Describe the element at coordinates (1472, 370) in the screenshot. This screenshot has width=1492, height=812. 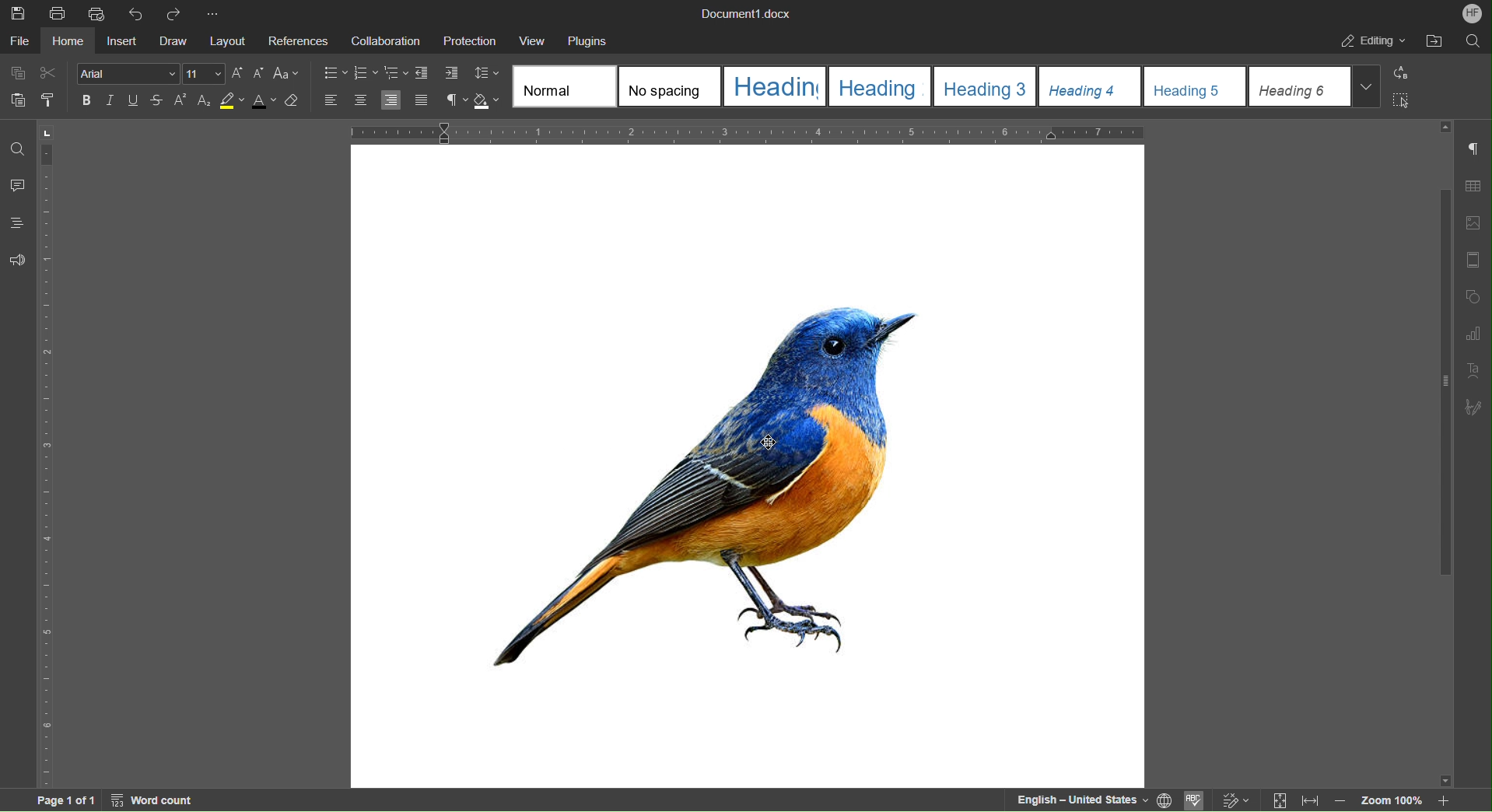
I see `Text Art` at that location.